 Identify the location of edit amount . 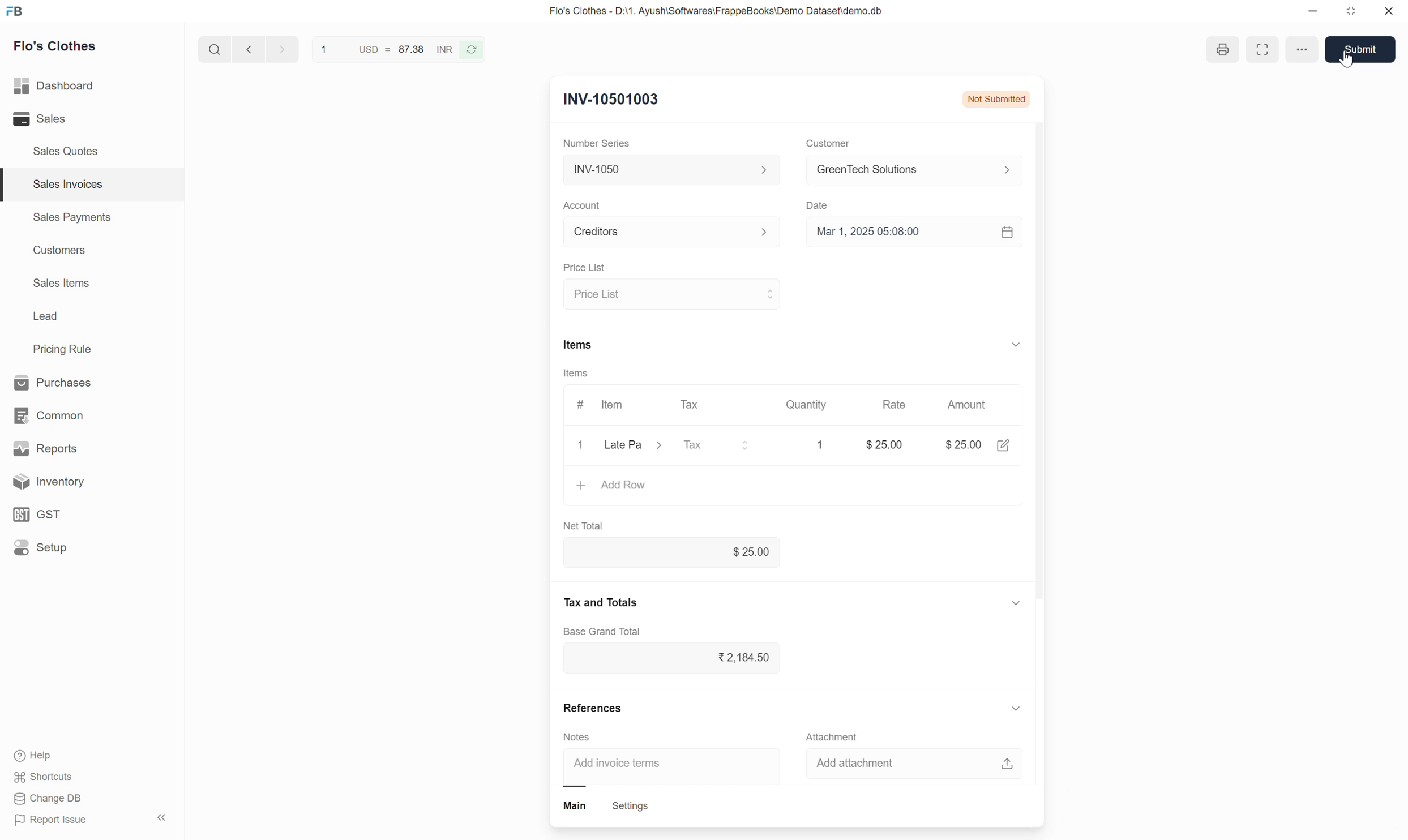
(1006, 446).